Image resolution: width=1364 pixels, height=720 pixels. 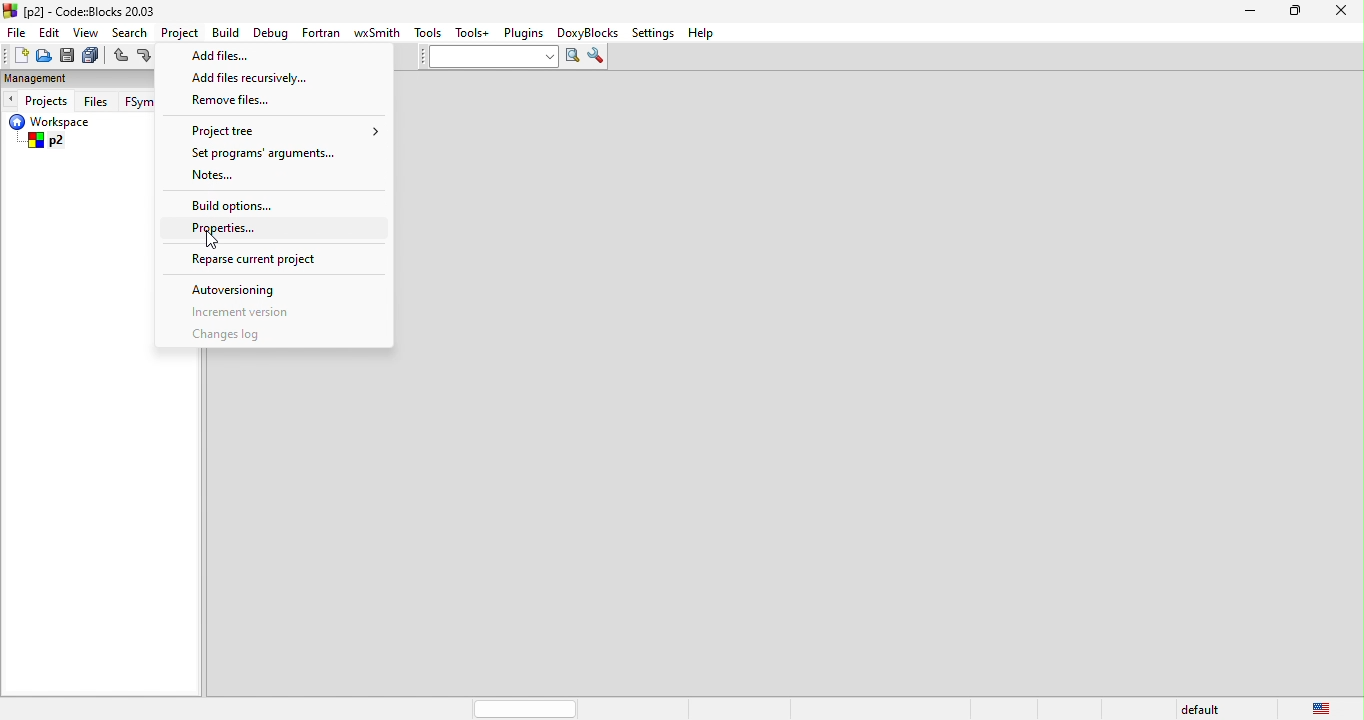 I want to click on undo, so click(x=120, y=57).